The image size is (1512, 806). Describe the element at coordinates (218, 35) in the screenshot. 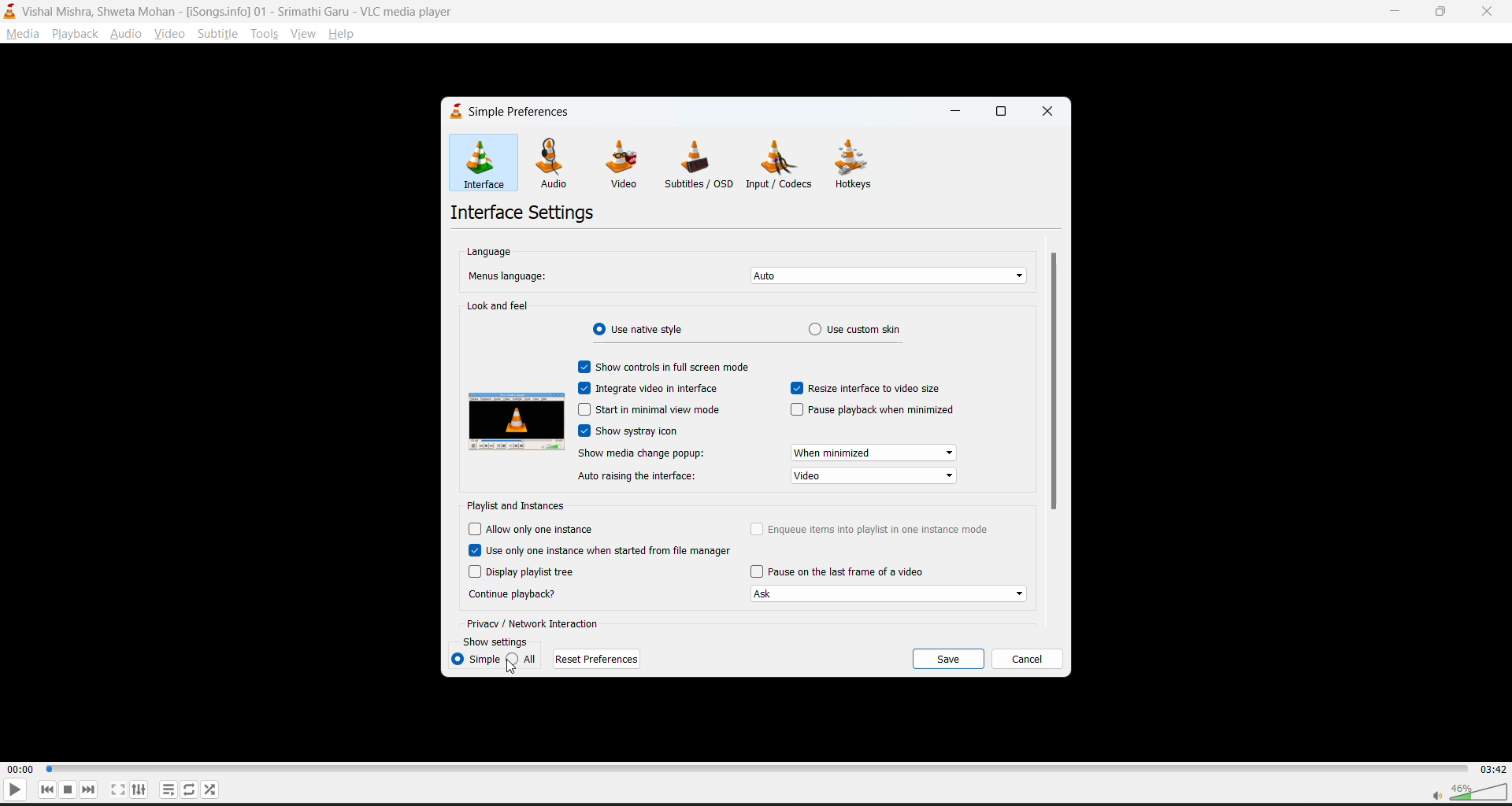

I see `subtitle` at that location.